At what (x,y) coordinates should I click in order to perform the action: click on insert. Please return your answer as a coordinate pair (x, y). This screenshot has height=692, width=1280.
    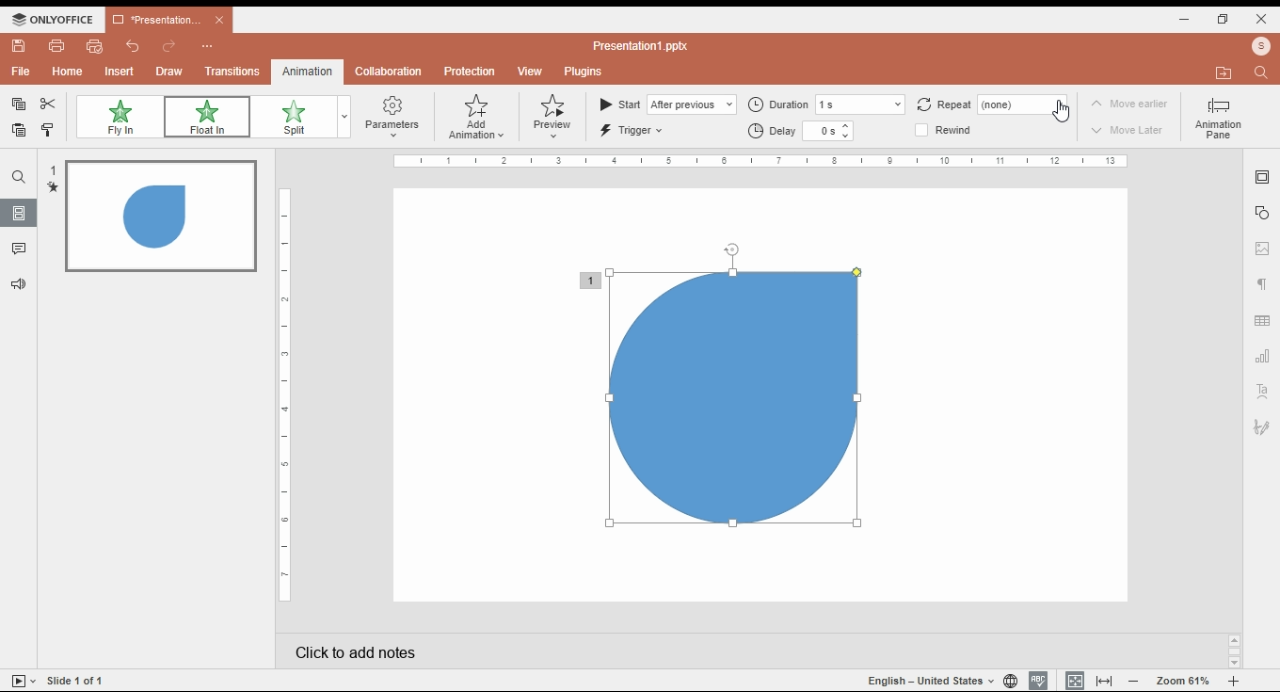
    Looking at the image, I should click on (120, 71).